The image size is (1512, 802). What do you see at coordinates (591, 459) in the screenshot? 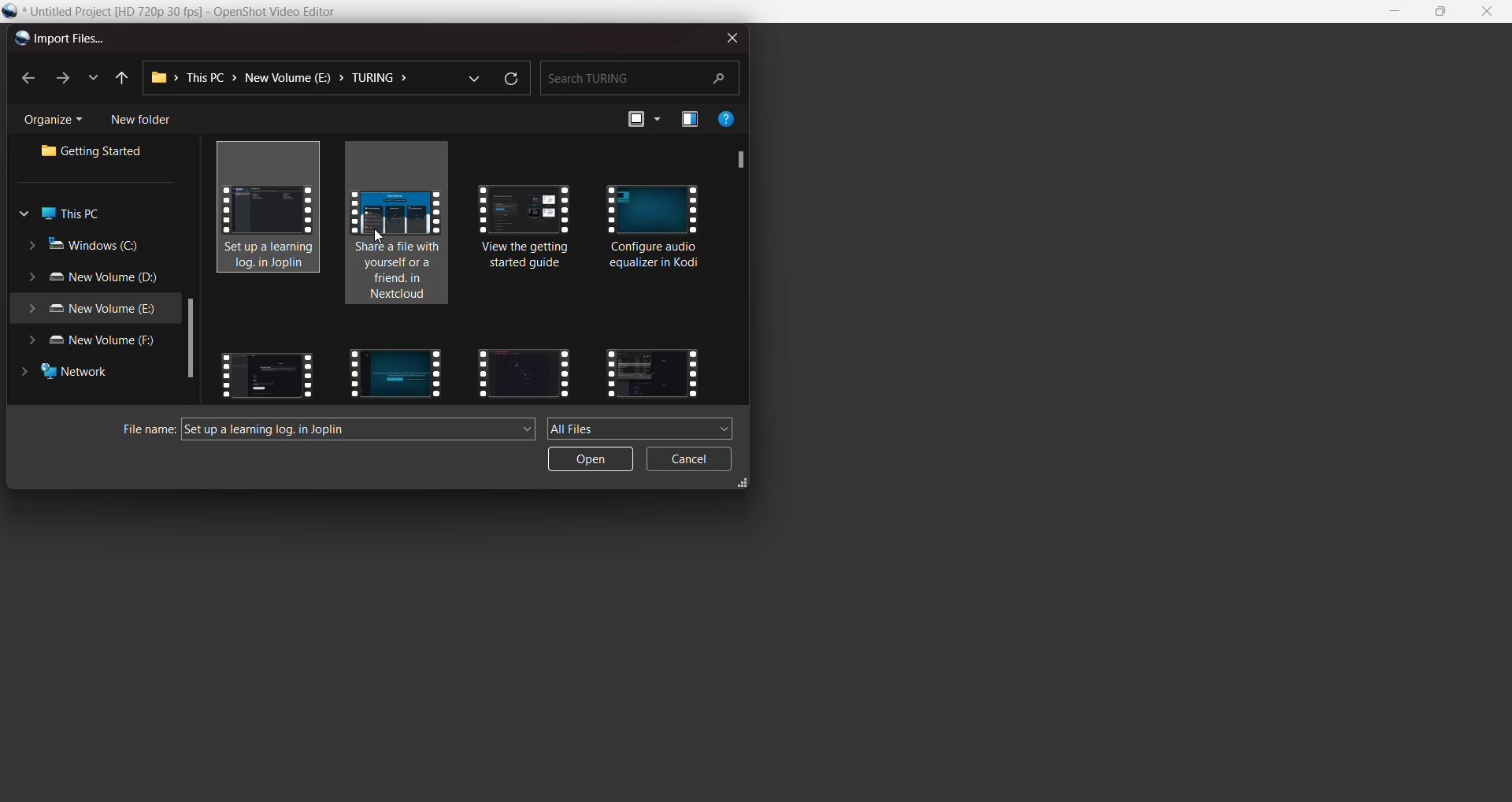
I see `open` at bounding box center [591, 459].